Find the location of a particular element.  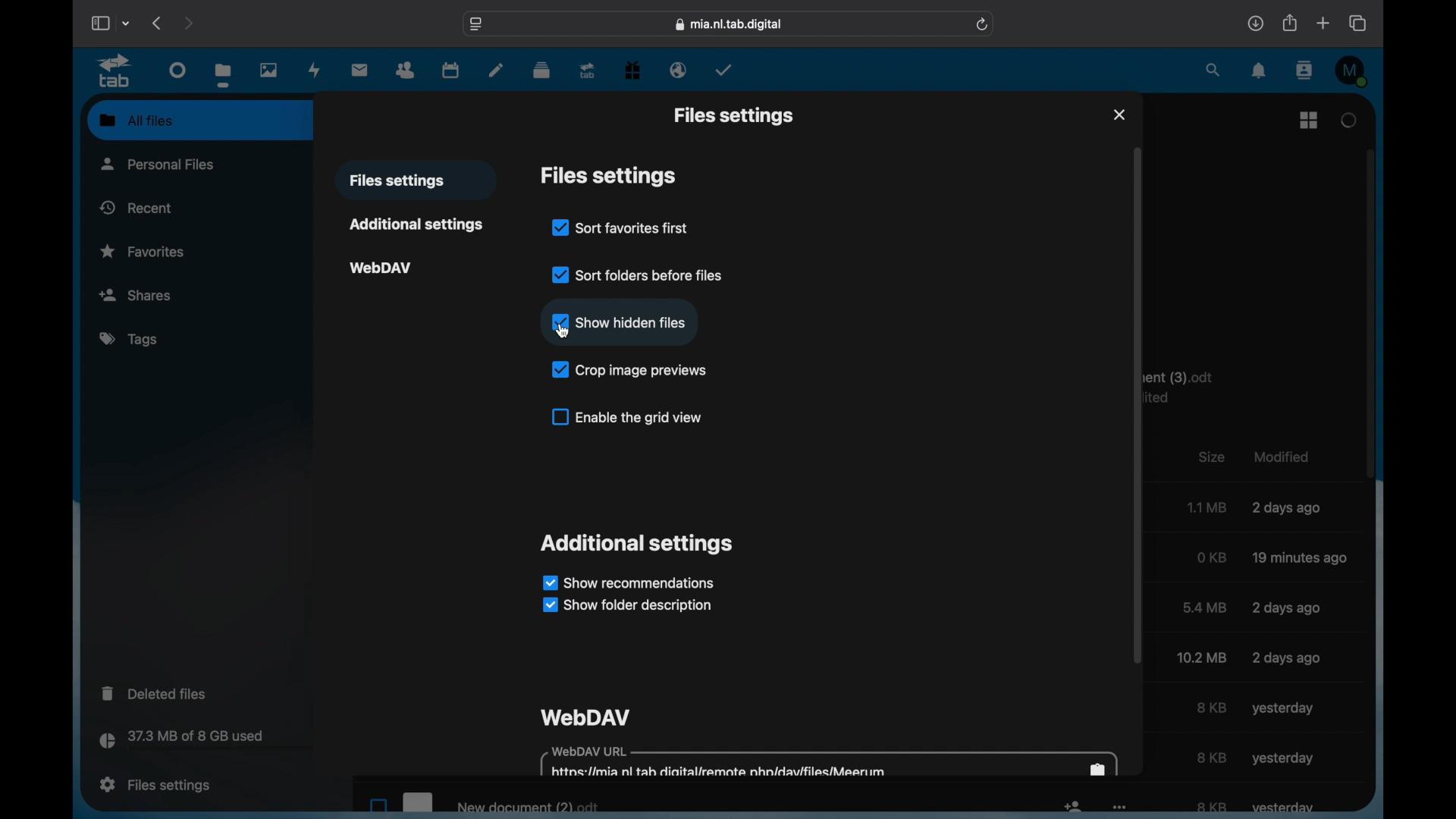

contacts is located at coordinates (1304, 71).